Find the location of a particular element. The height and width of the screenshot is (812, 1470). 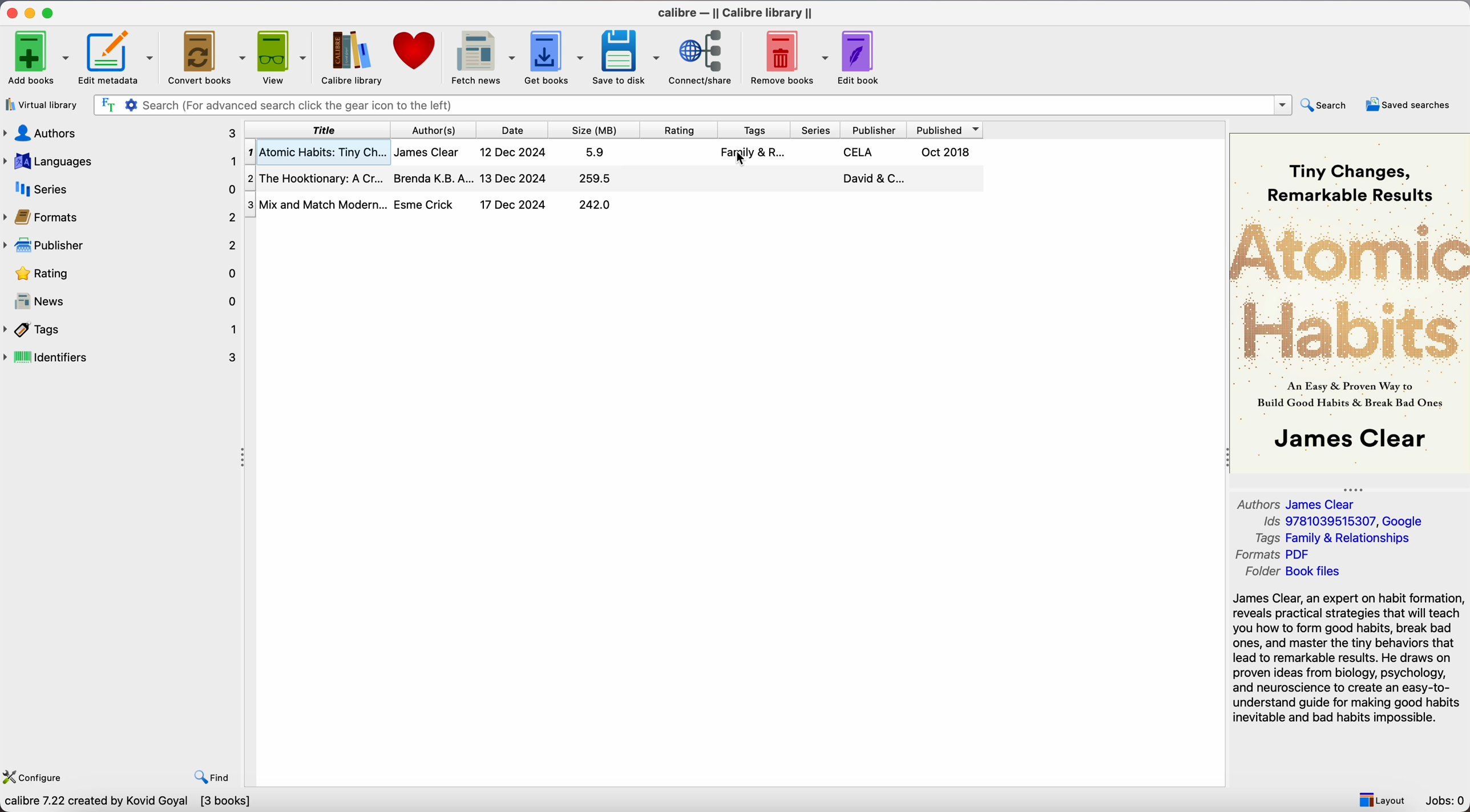

virtual library is located at coordinates (42, 106).